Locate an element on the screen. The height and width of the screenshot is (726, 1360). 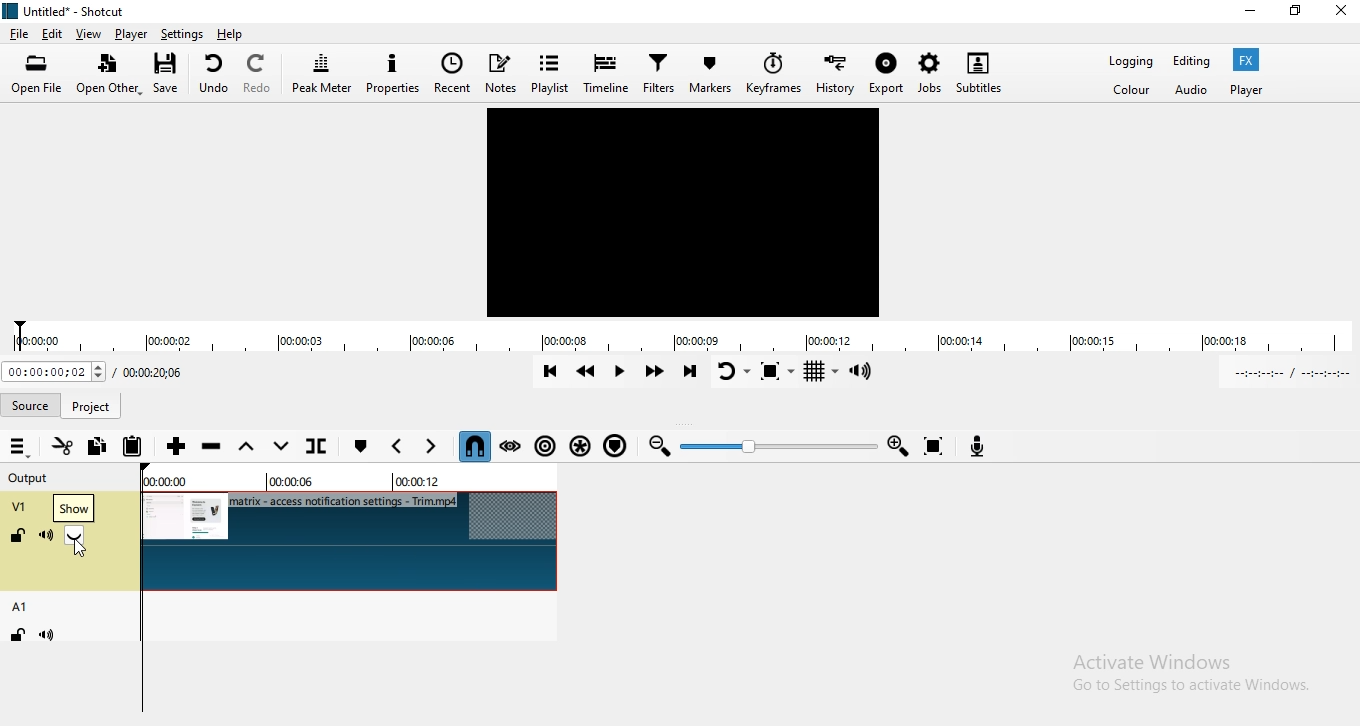
 is located at coordinates (896, 447).